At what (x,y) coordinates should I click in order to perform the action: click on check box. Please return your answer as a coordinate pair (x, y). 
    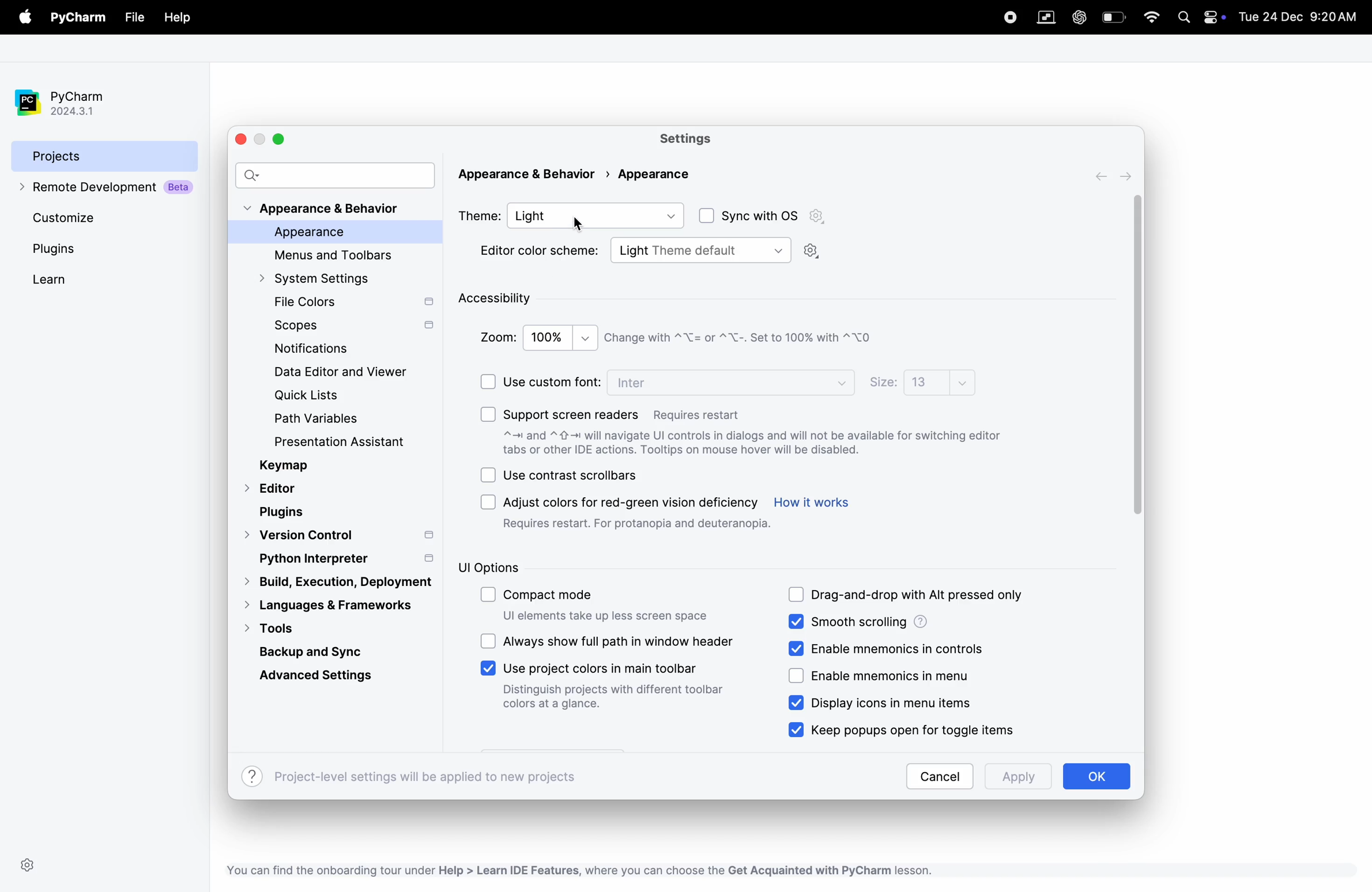
    Looking at the image, I should click on (488, 641).